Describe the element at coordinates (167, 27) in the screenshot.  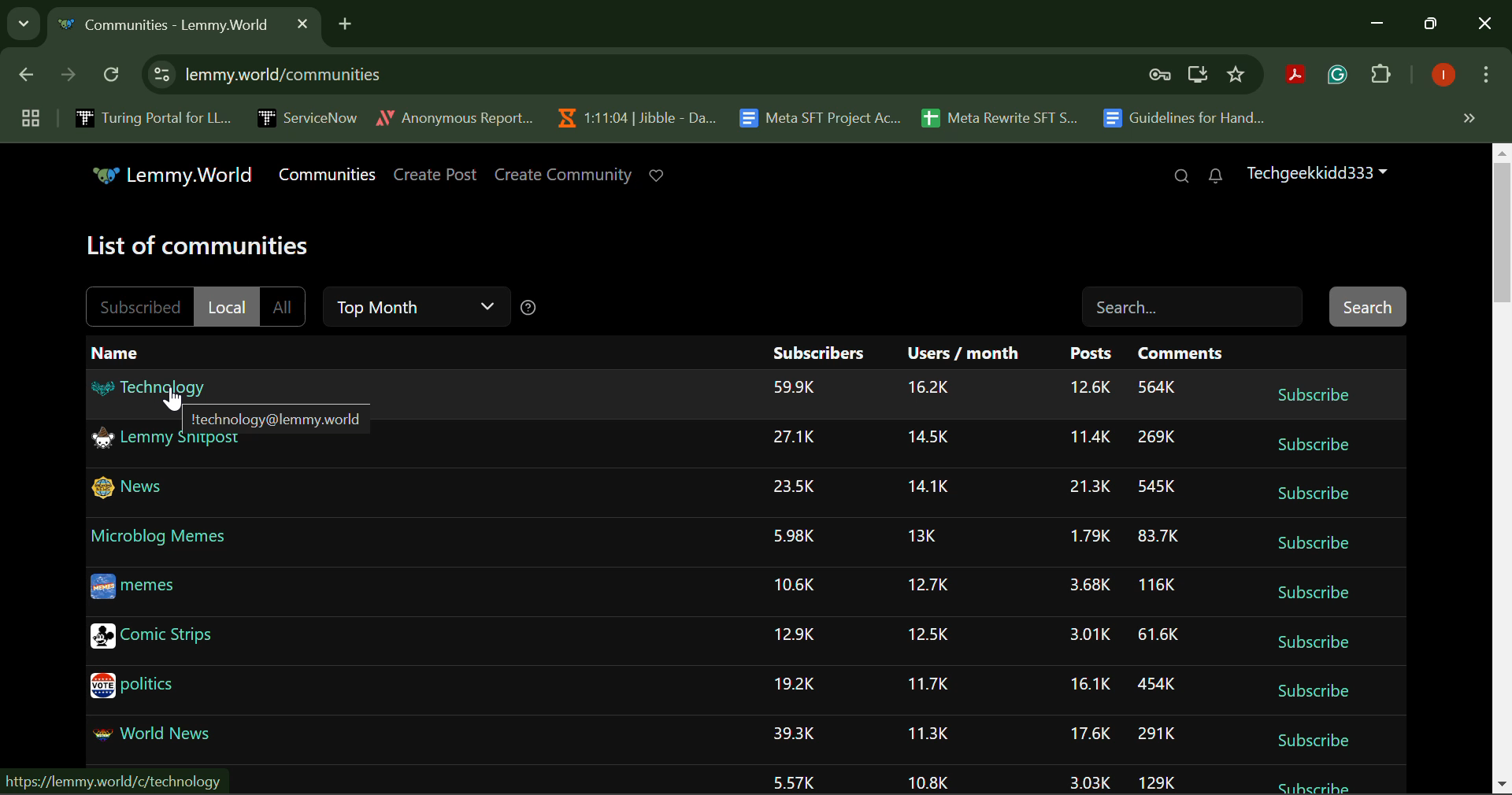
I see `Webpage Heading` at that location.